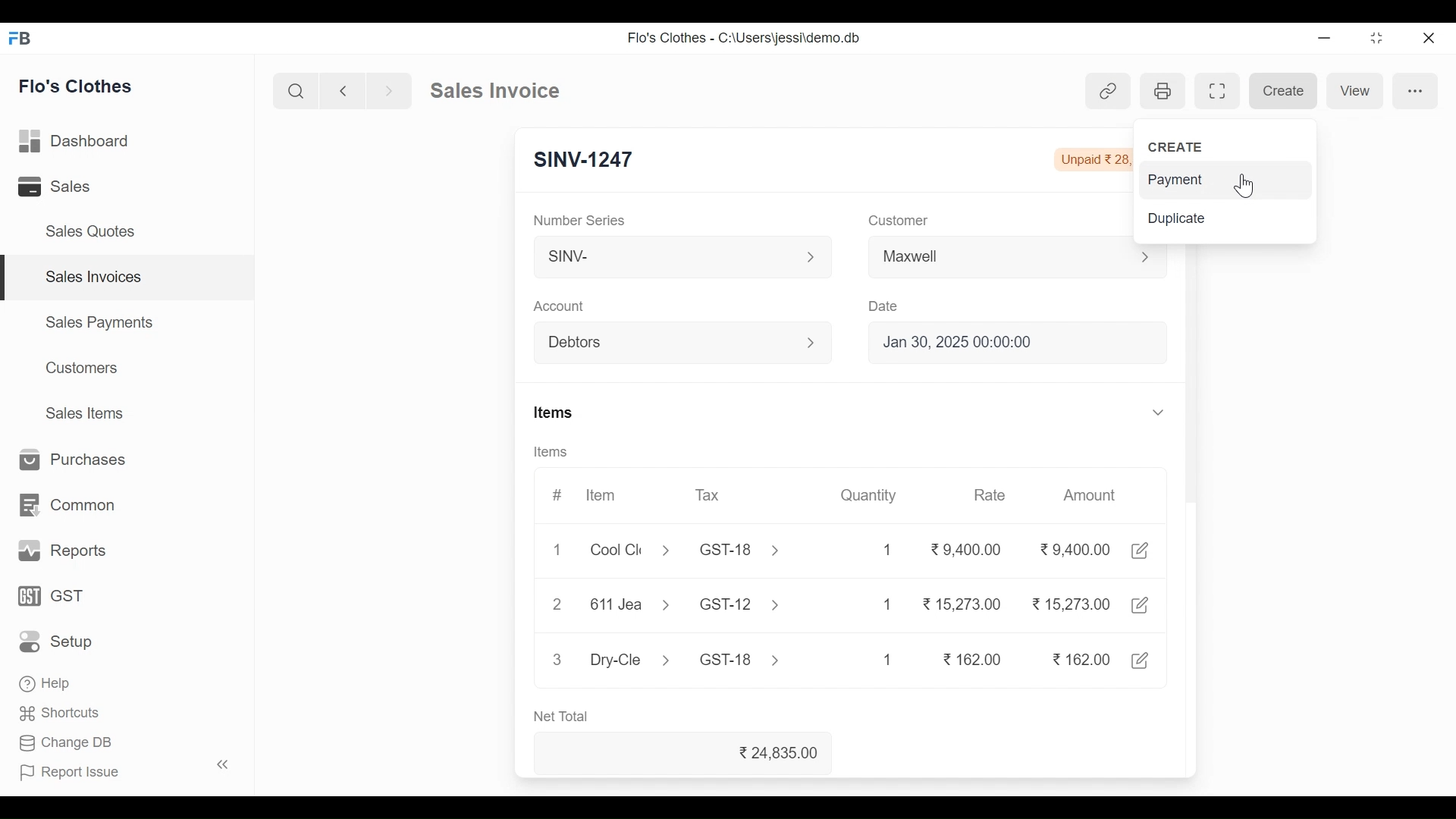 The height and width of the screenshot is (819, 1456). I want to click on Expand, so click(813, 342).